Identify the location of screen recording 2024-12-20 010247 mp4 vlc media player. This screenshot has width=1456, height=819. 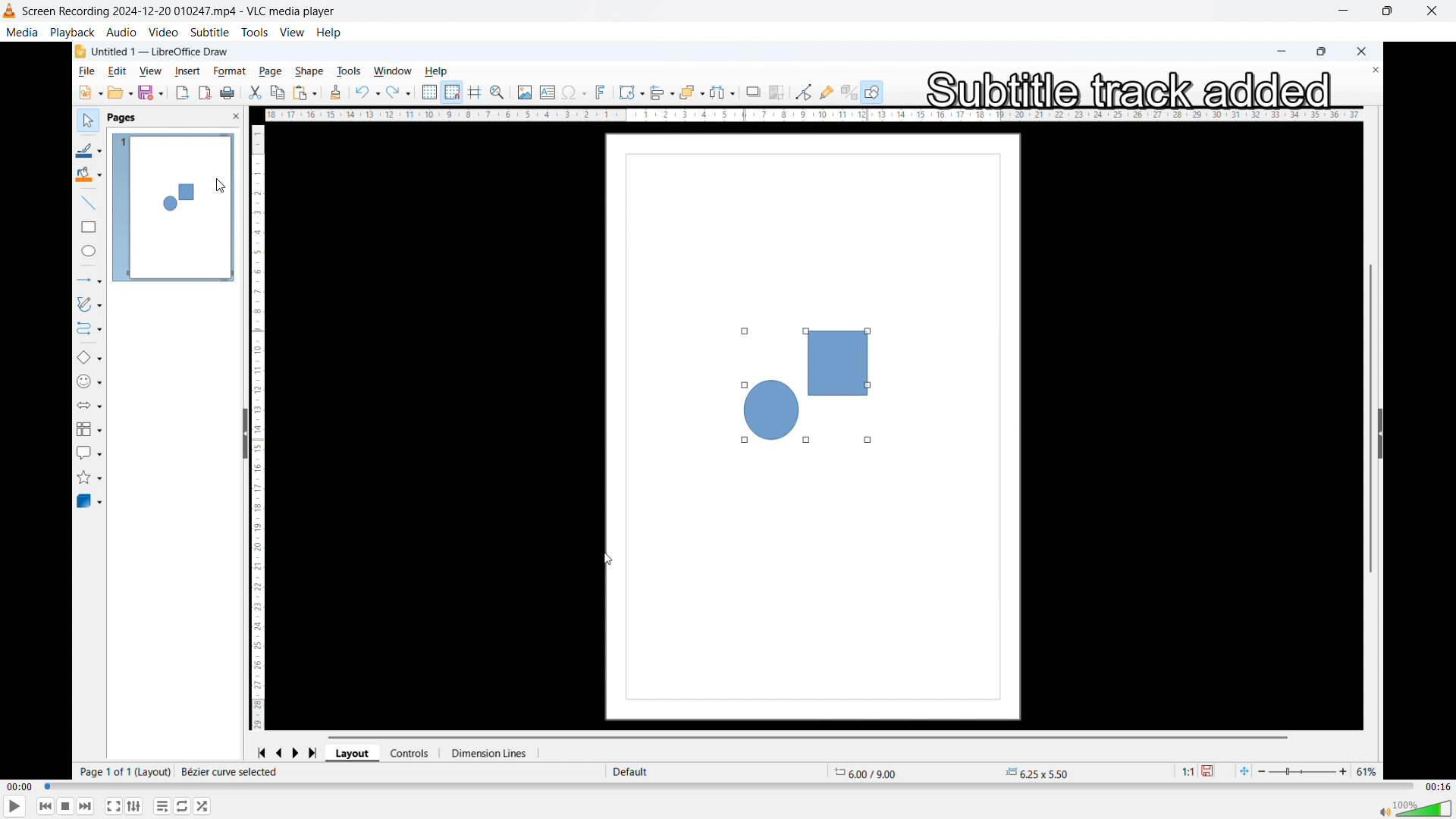
(189, 11).